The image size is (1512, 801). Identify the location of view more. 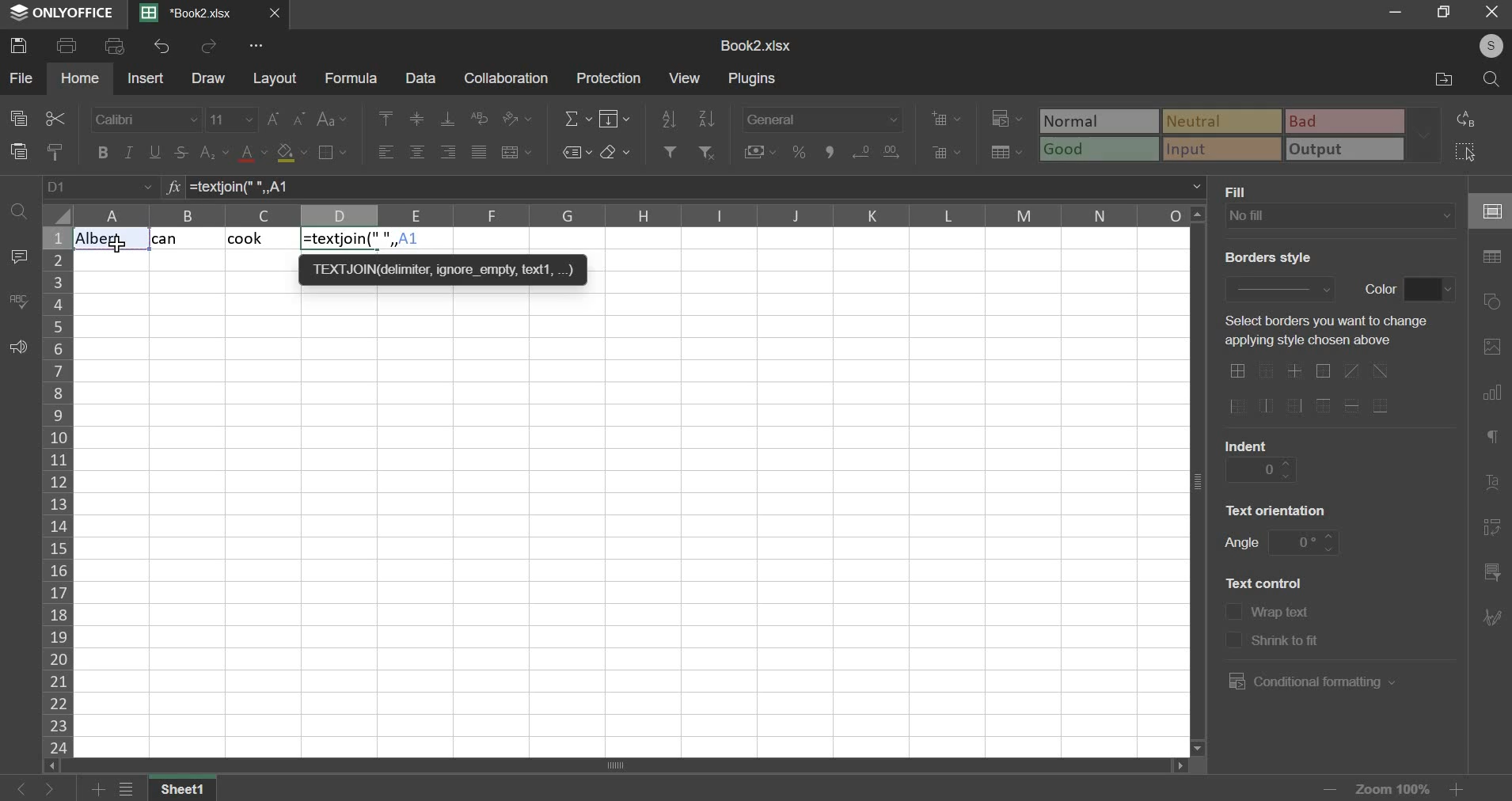
(258, 46).